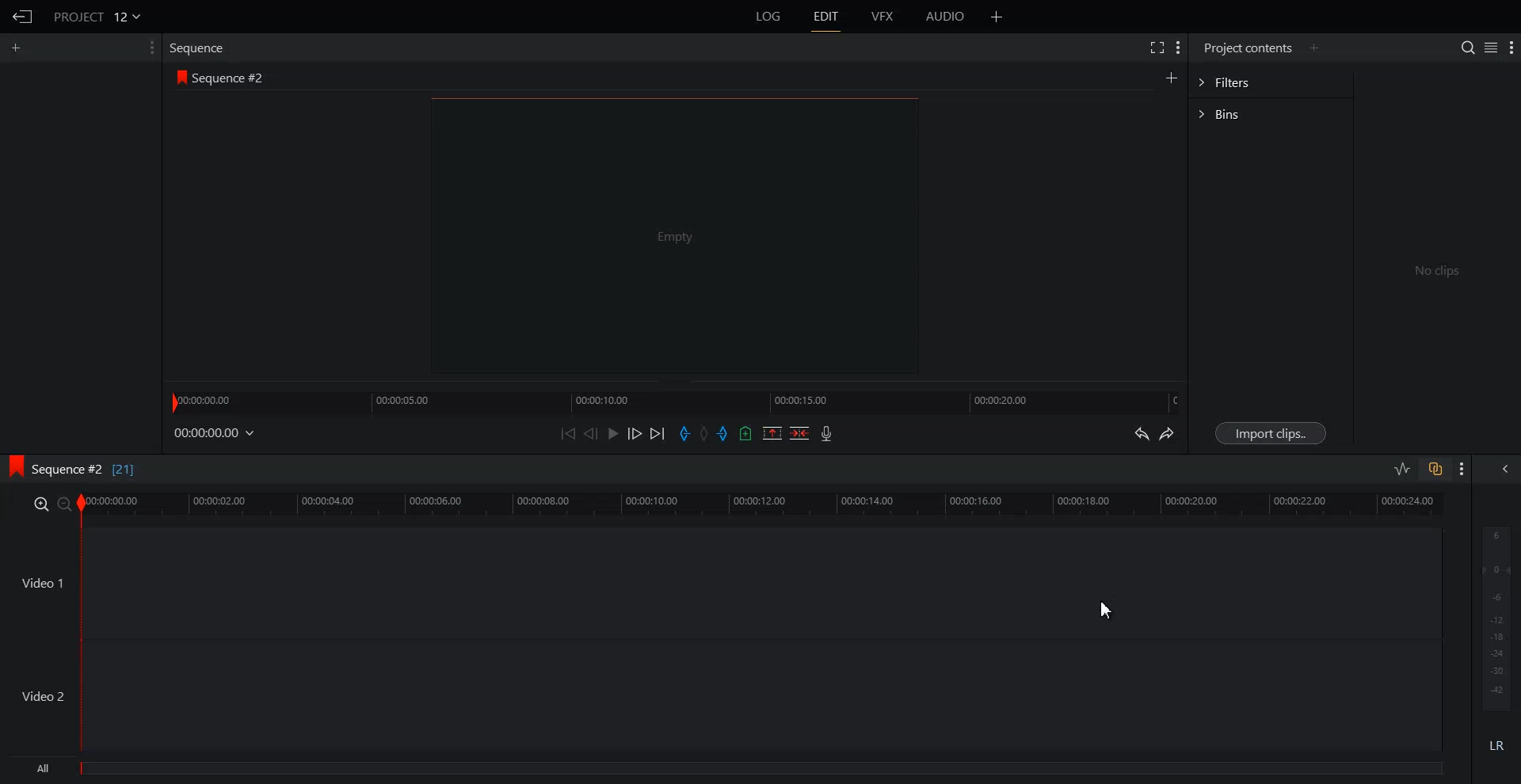  I want to click on All, so click(729, 771).